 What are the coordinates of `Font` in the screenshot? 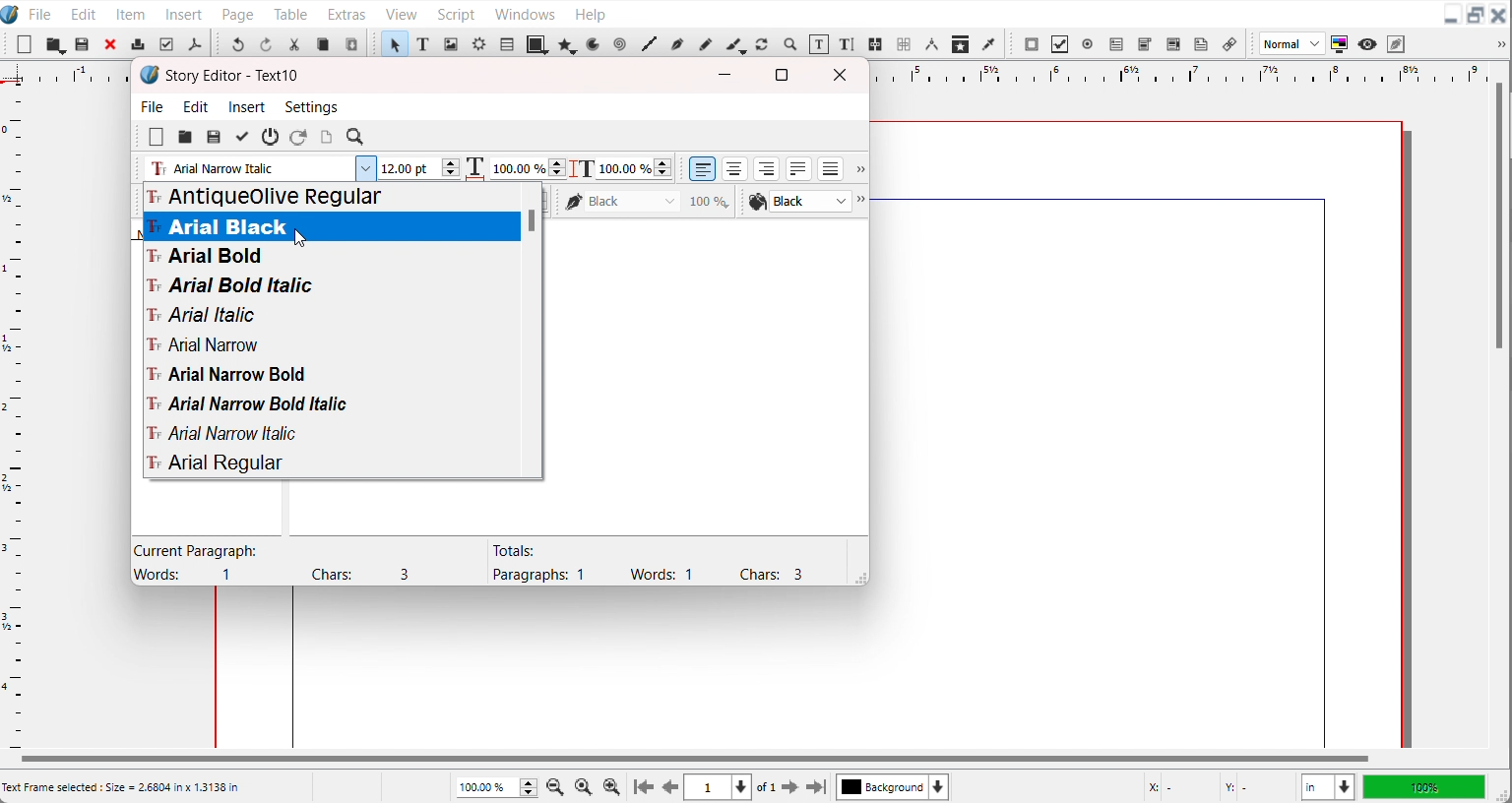 It's located at (331, 374).